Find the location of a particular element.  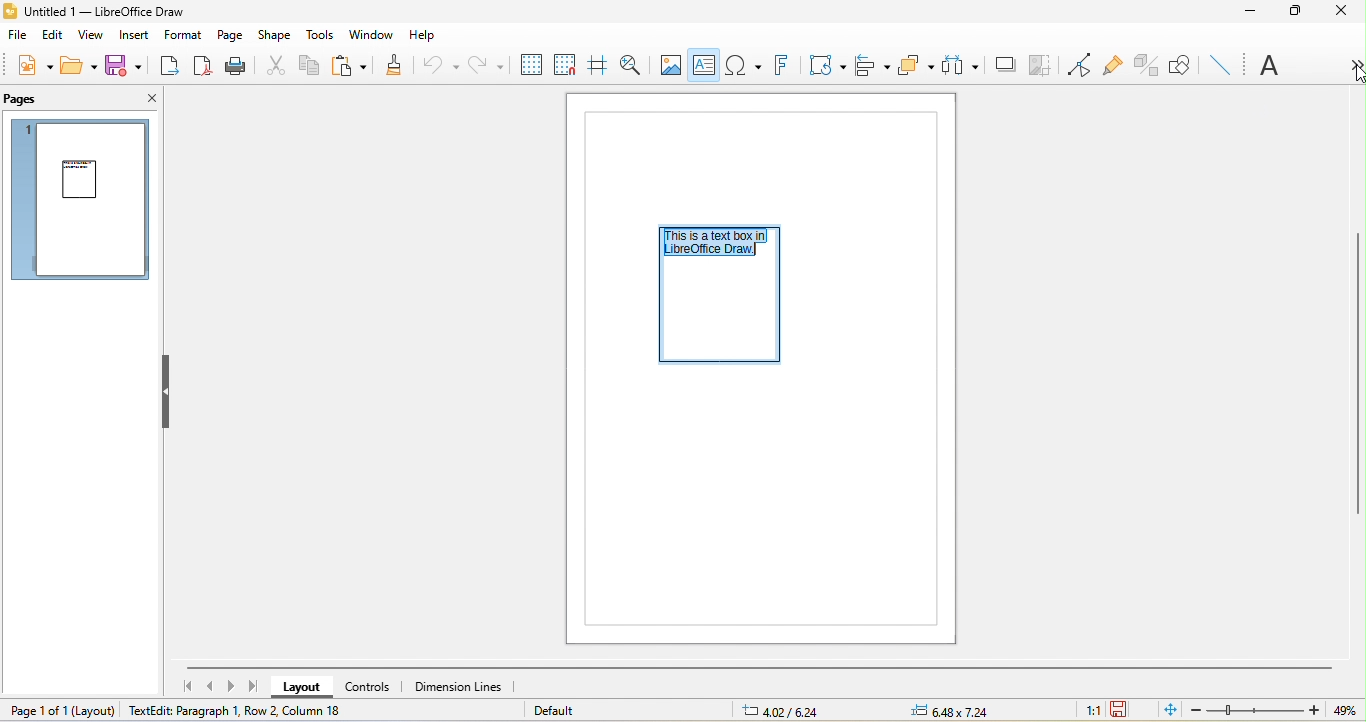

cursor movement is located at coordinates (1353, 81).